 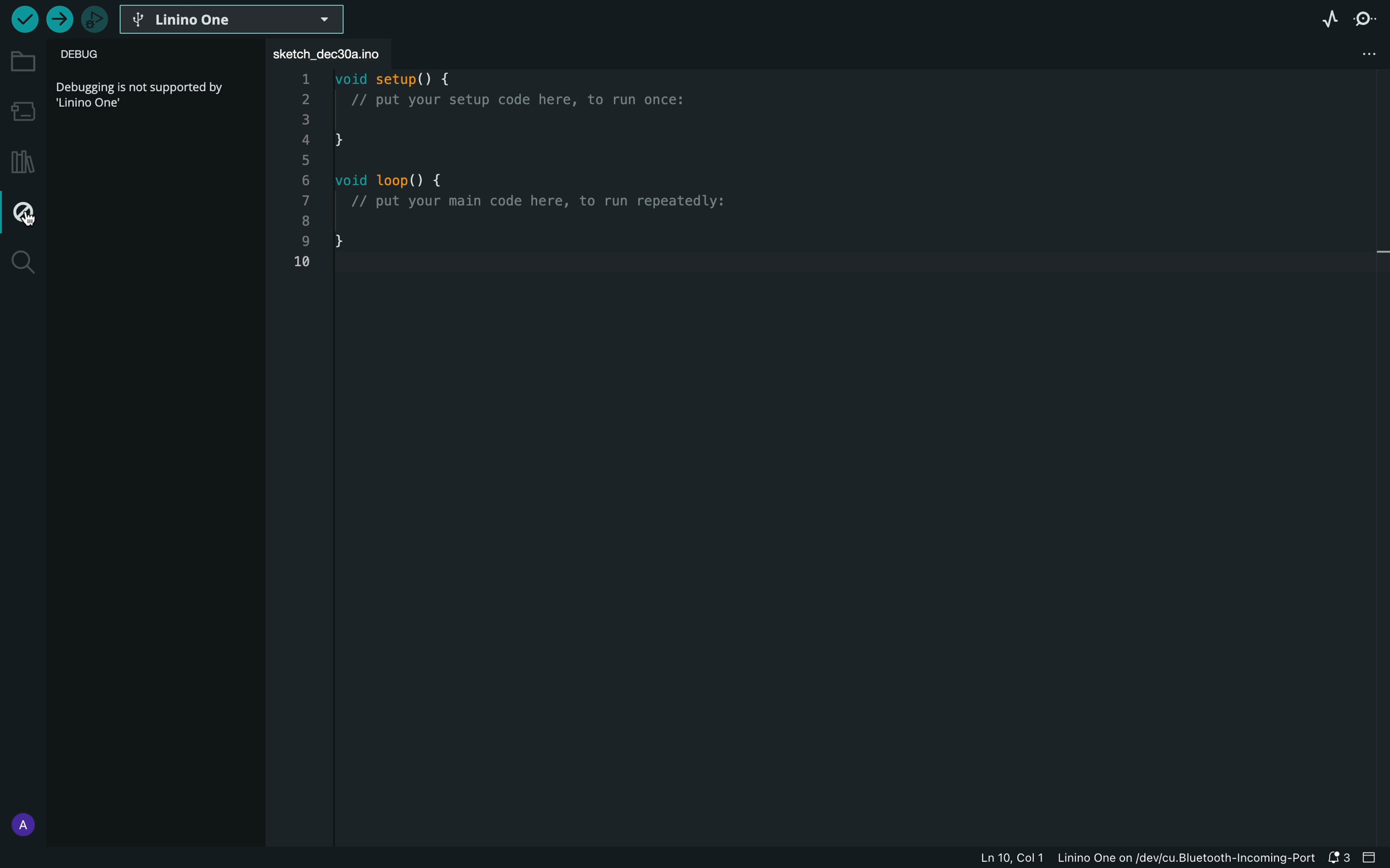 I want to click on folder, so click(x=20, y=62).